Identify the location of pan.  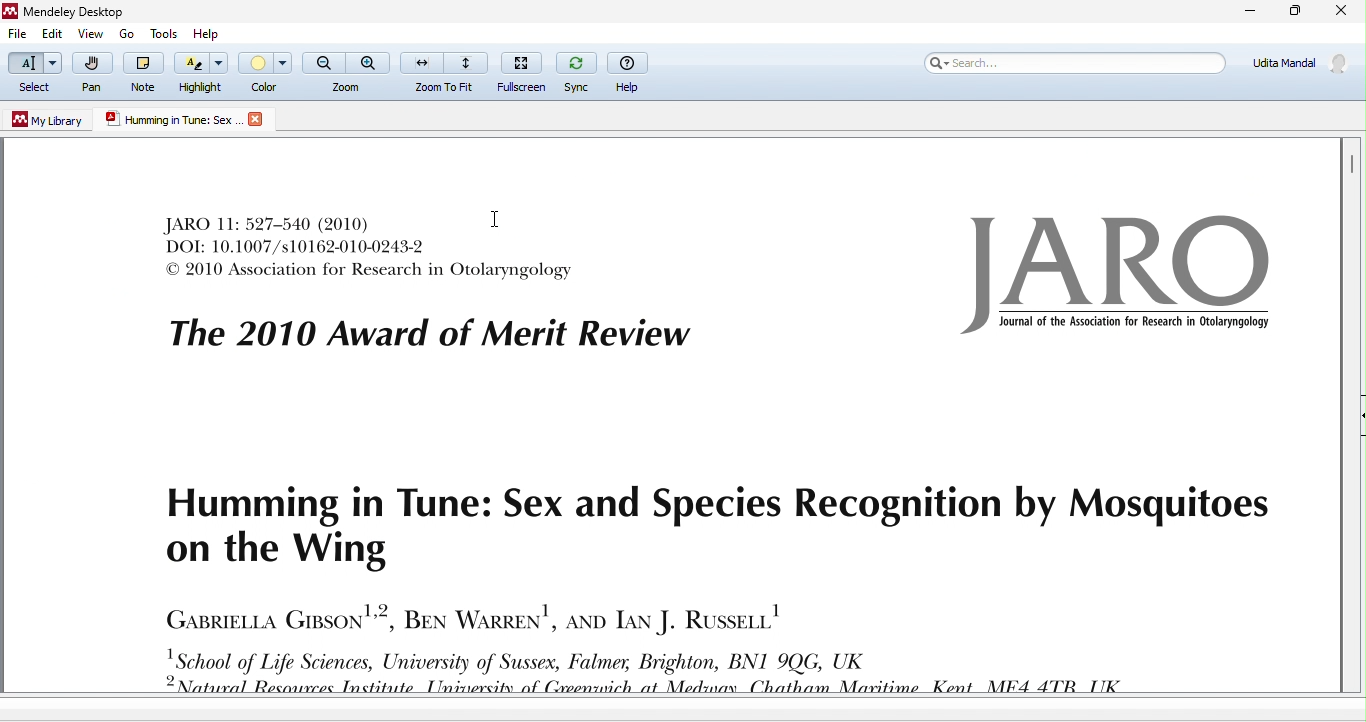
(97, 73).